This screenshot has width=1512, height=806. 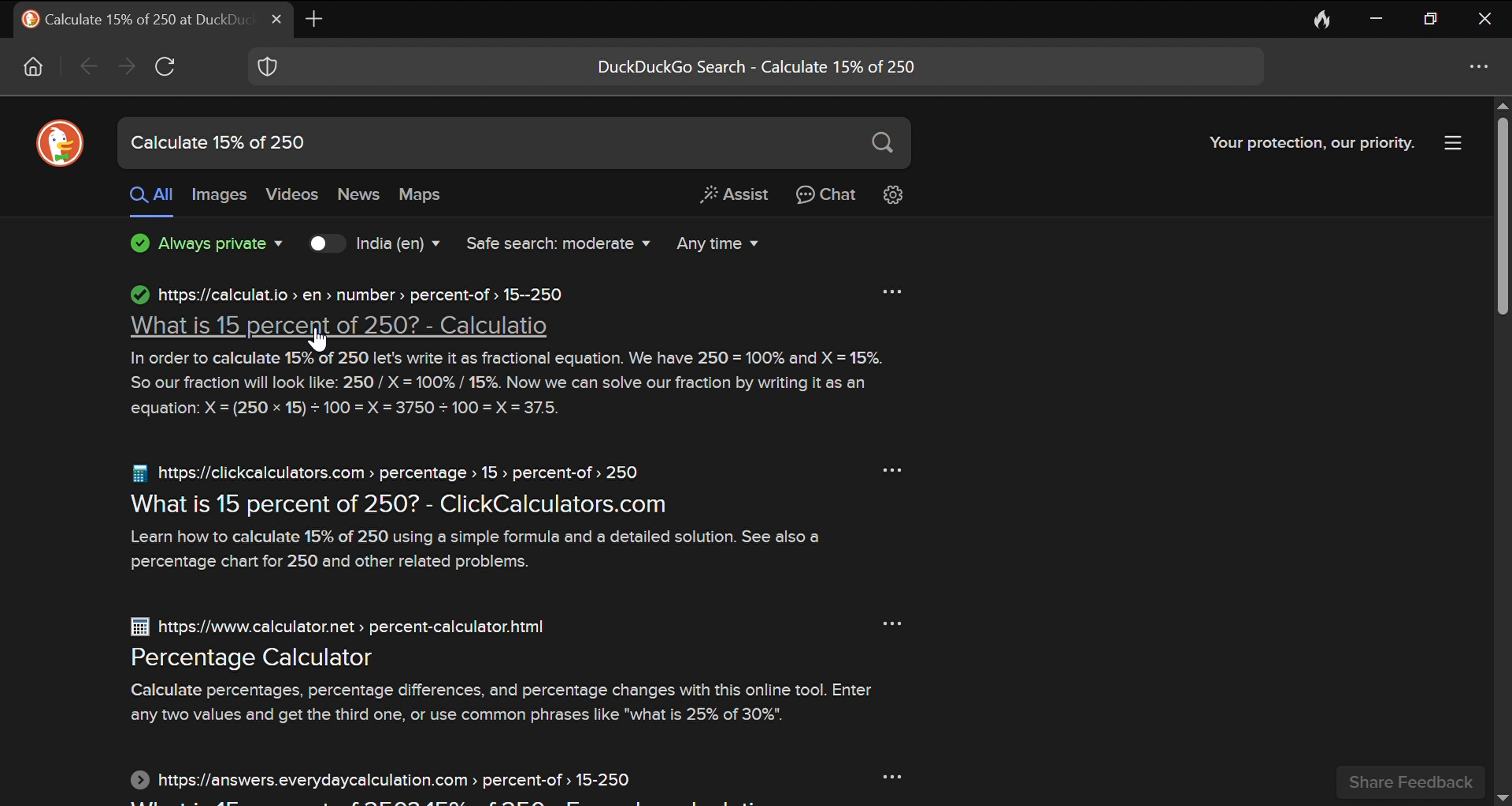 What do you see at coordinates (1452, 142) in the screenshot?
I see `Expand sidebar` at bounding box center [1452, 142].